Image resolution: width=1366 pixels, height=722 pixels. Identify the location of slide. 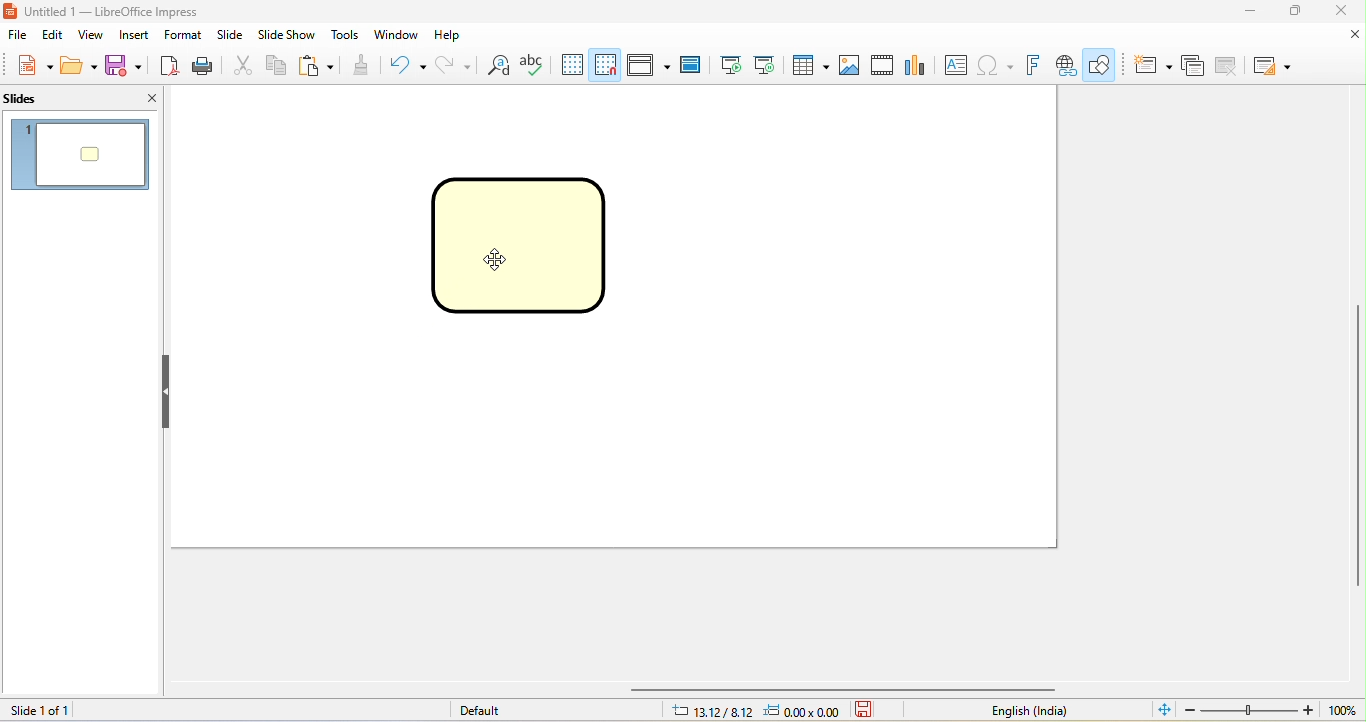
(232, 33).